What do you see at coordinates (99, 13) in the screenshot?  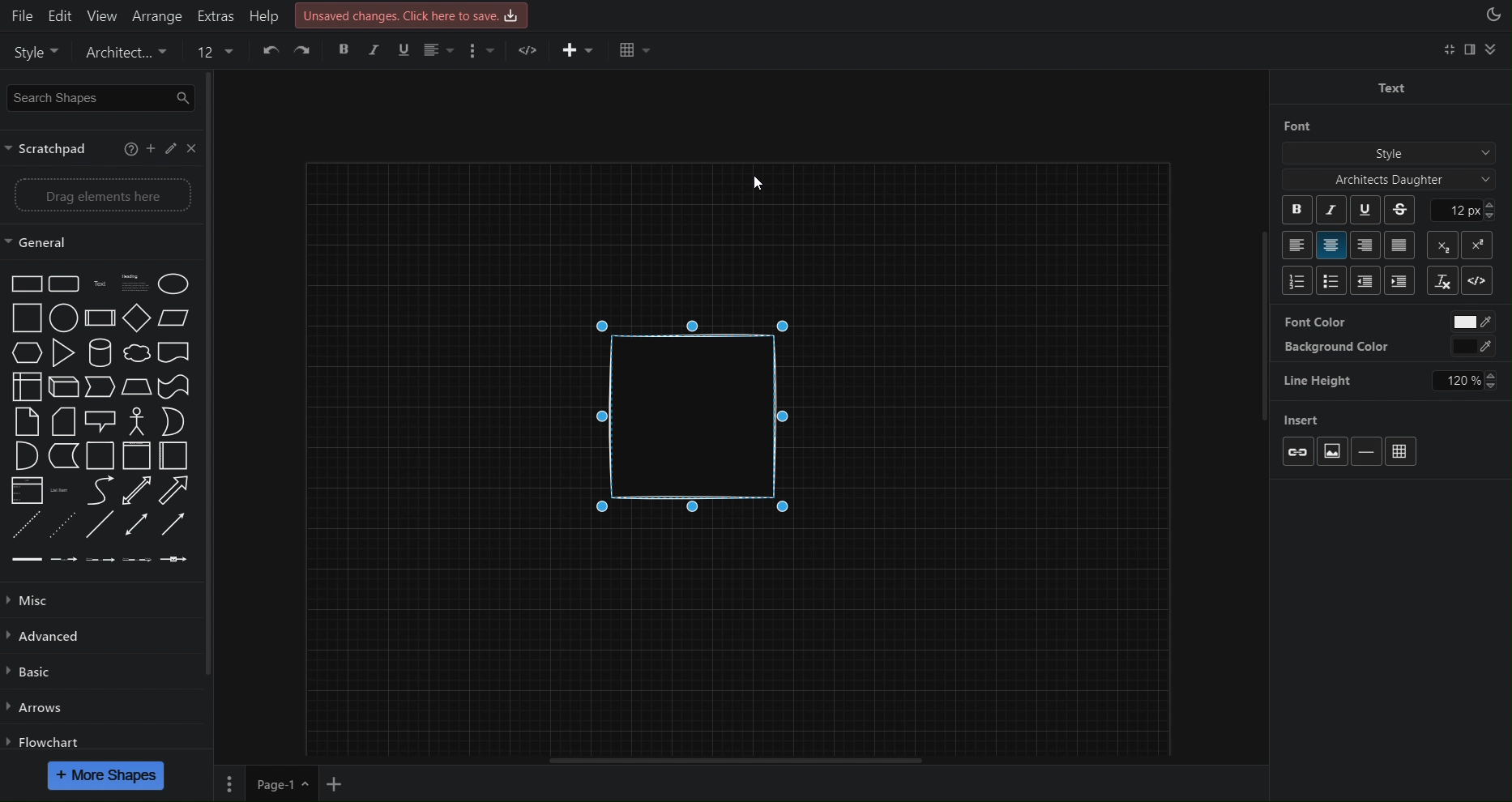 I see `View` at bounding box center [99, 13].